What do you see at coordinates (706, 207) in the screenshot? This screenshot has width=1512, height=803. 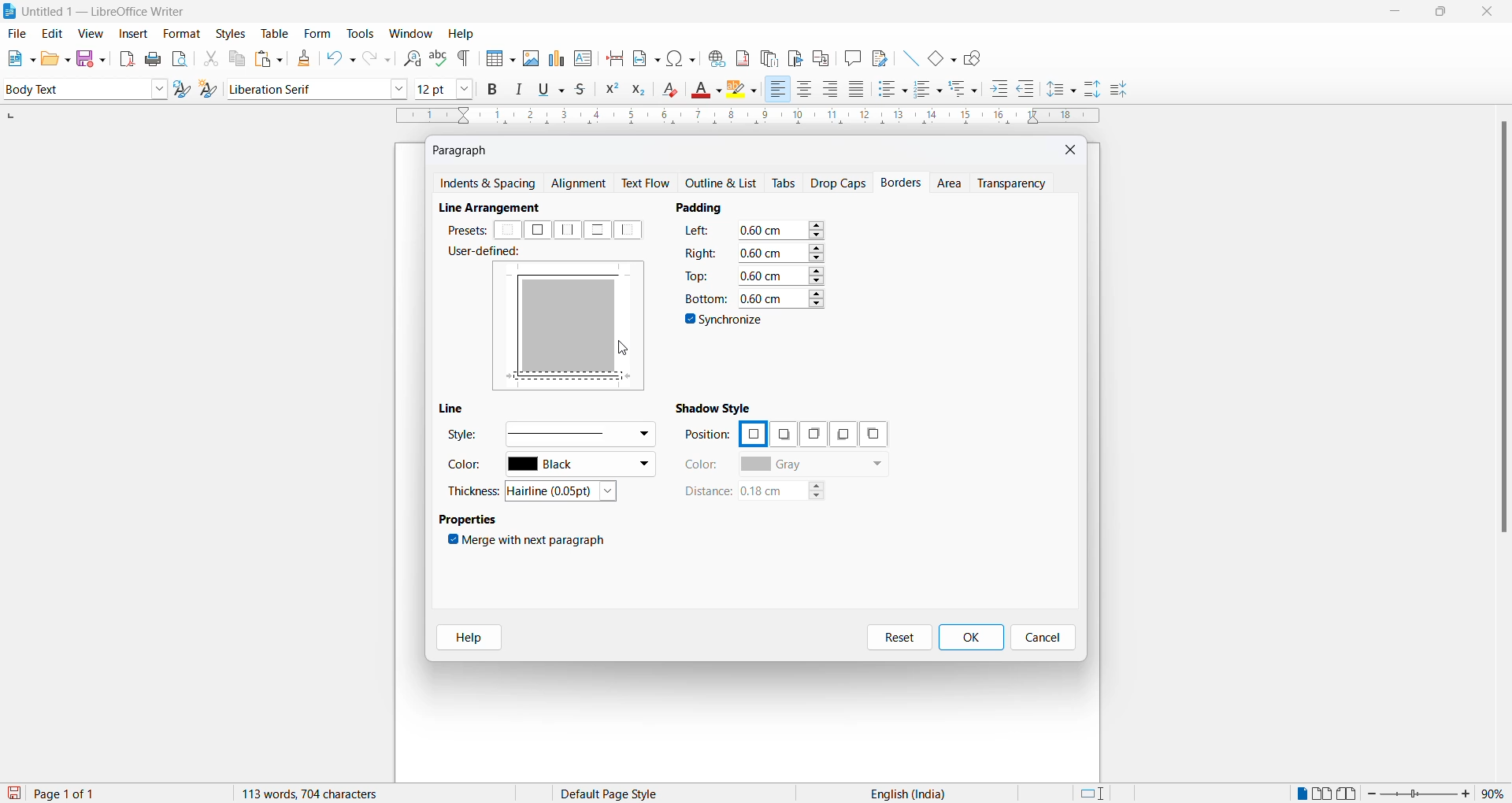 I see `padding` at bounding box center [706, 207].